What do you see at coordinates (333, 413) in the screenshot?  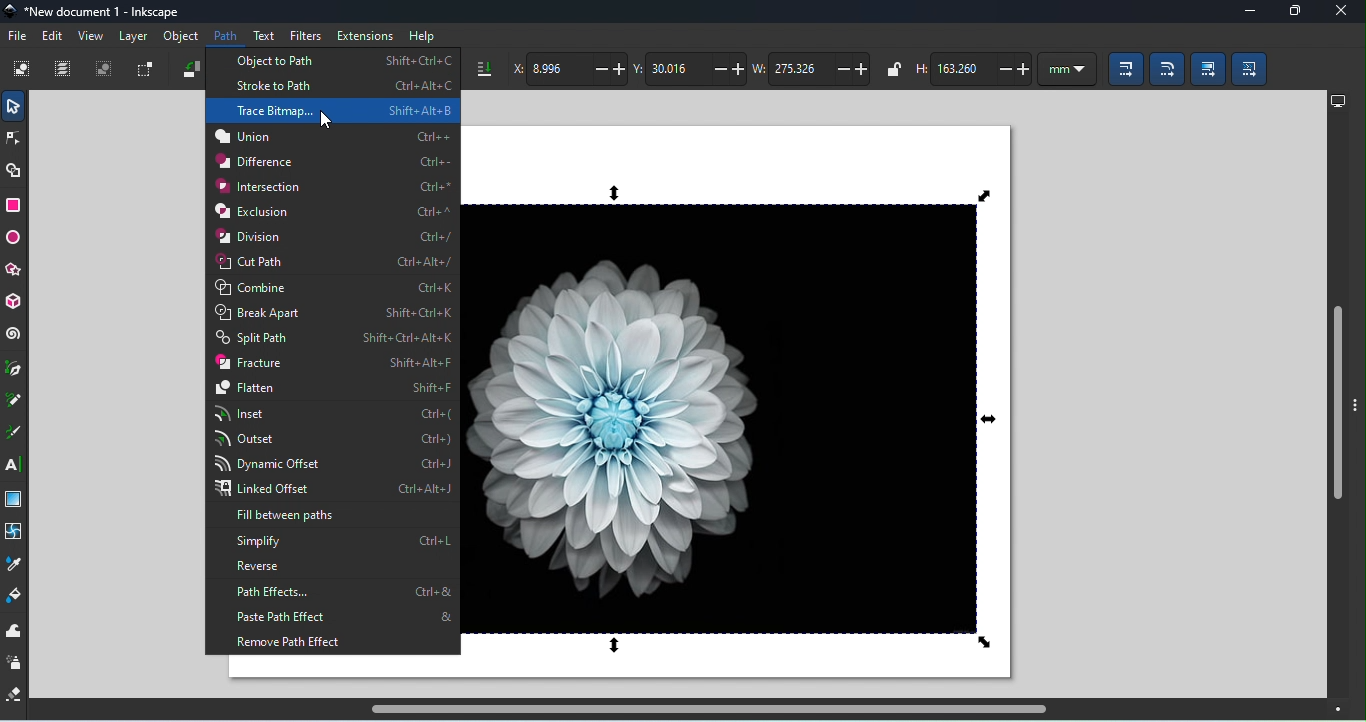 I see `Inset` at bounding box center [333, 413].